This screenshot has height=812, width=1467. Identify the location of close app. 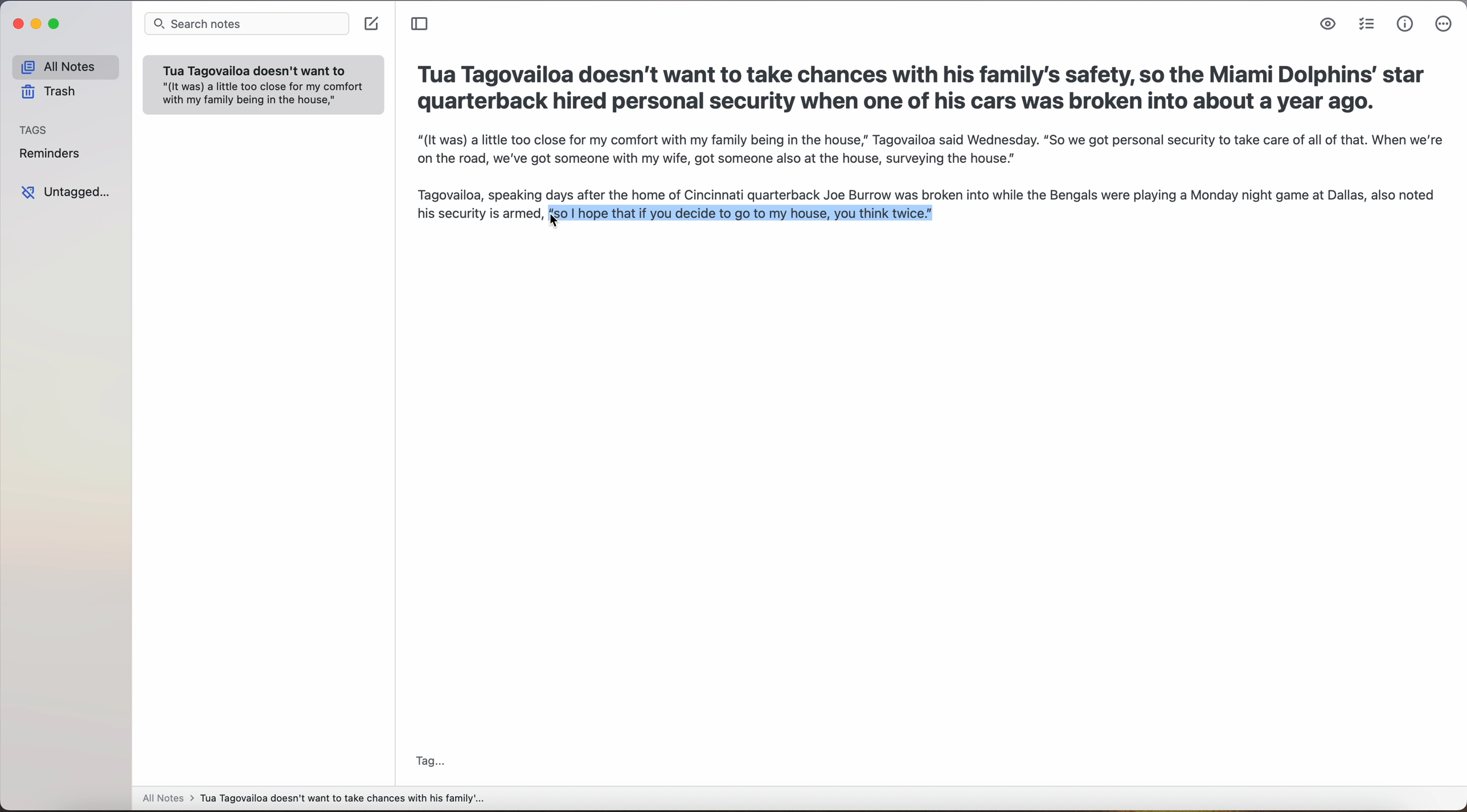
(17, 26).